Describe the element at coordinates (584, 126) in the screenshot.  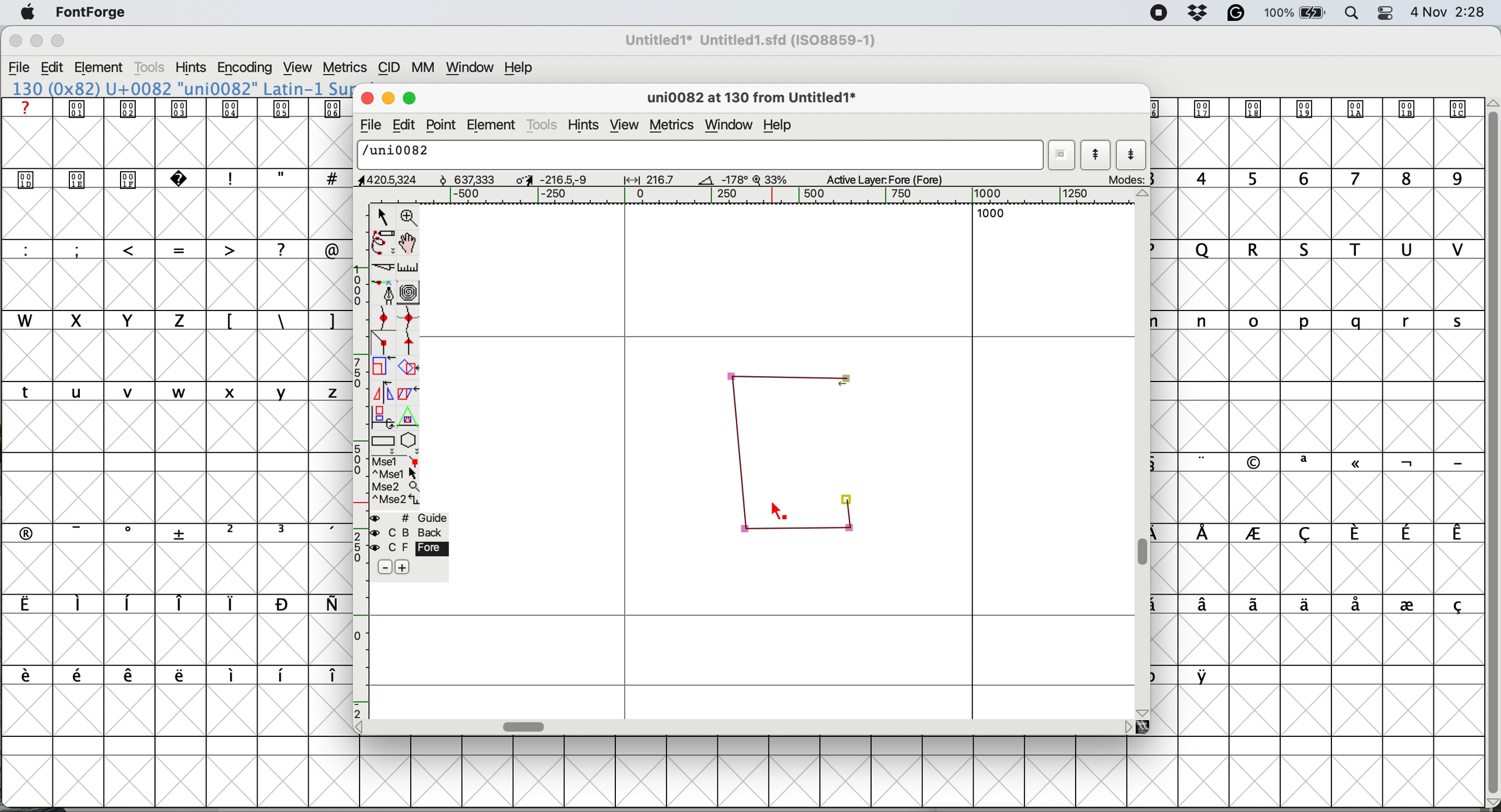
I see `hints` at that location.